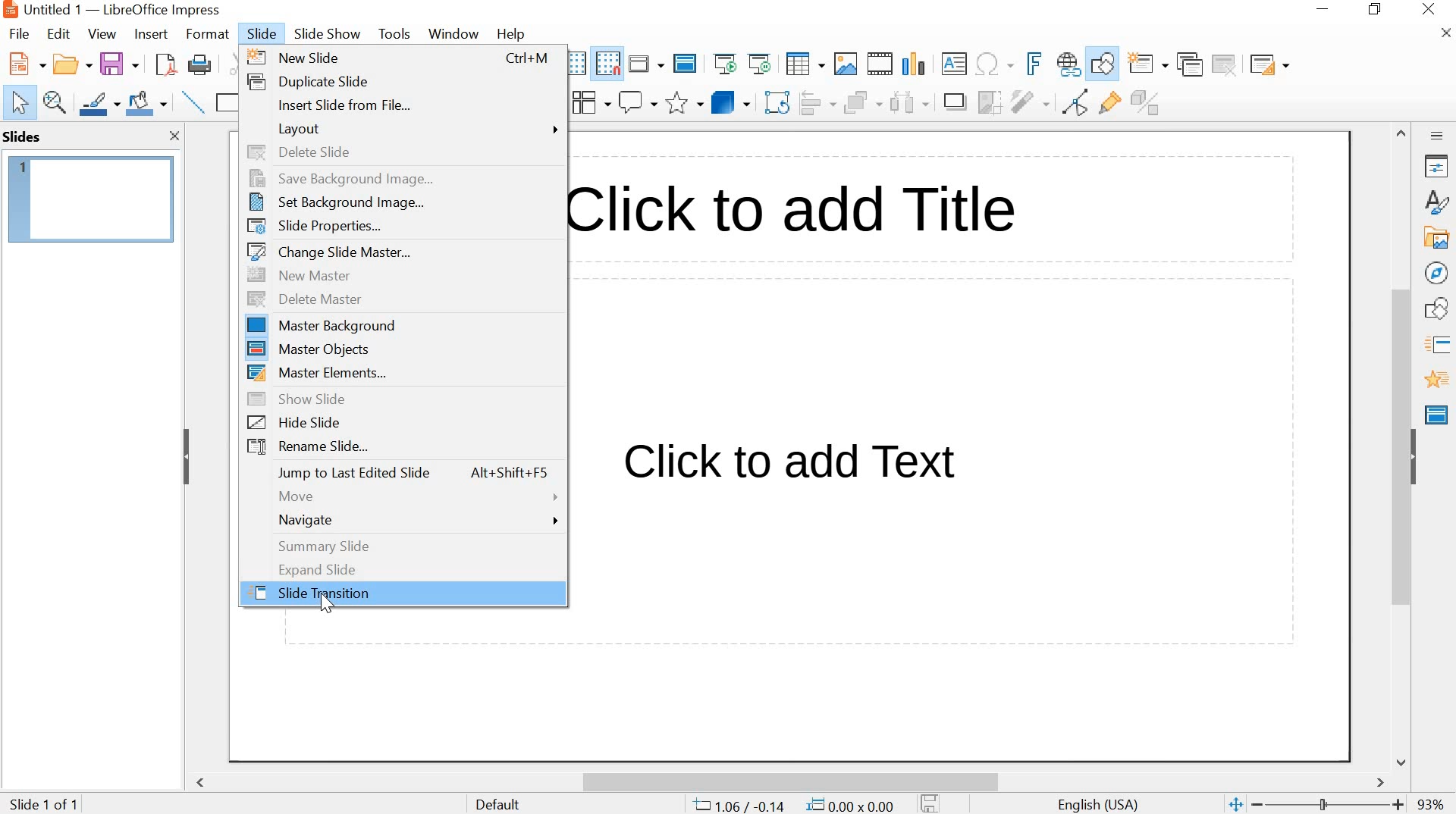 This screenshot has width=1456, height=814. Describe the element at coordinates (69, 64) in the screenshot. I see `OPEN` at that location.